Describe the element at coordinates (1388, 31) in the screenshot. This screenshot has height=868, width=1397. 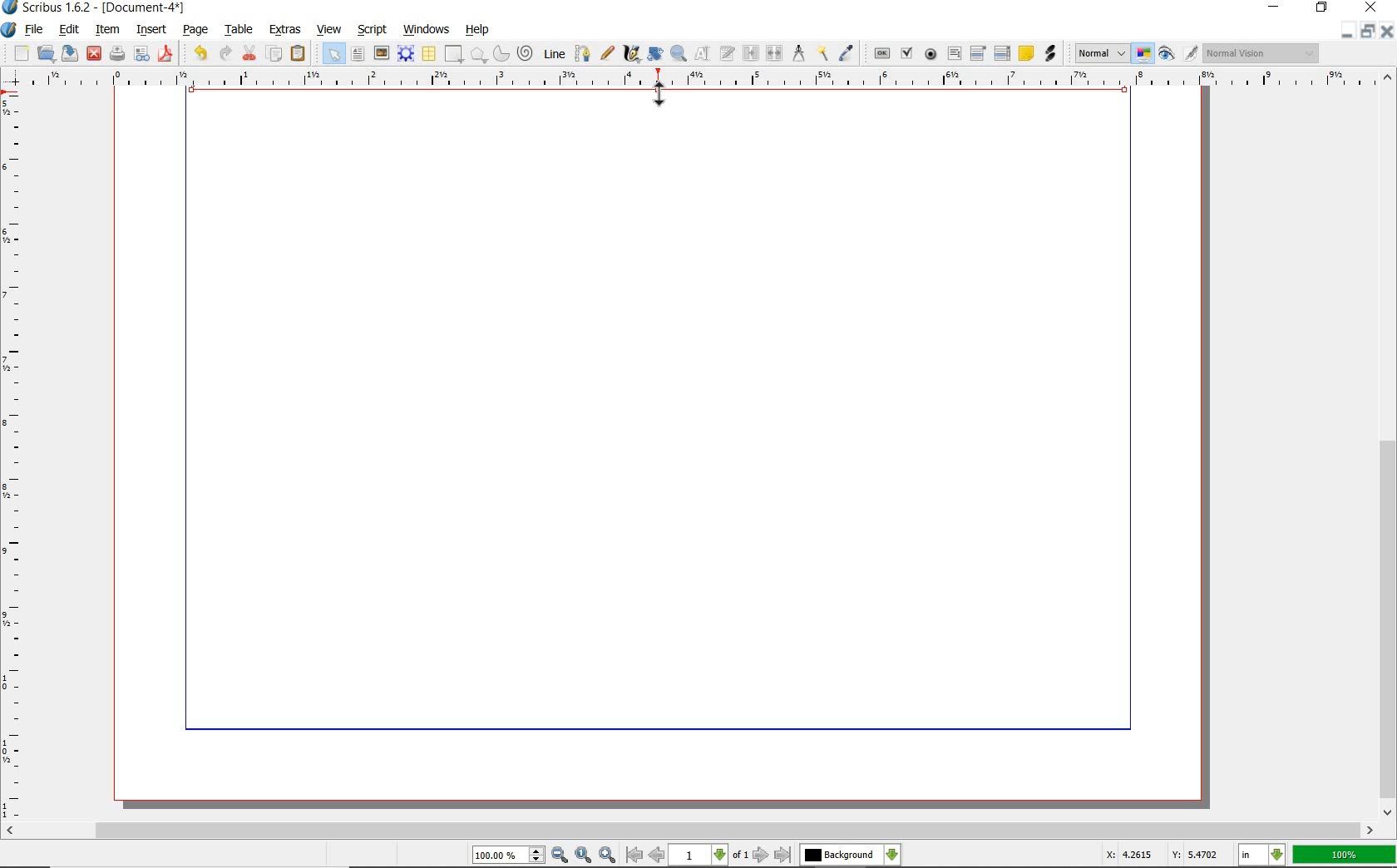
I see `close` at that location.